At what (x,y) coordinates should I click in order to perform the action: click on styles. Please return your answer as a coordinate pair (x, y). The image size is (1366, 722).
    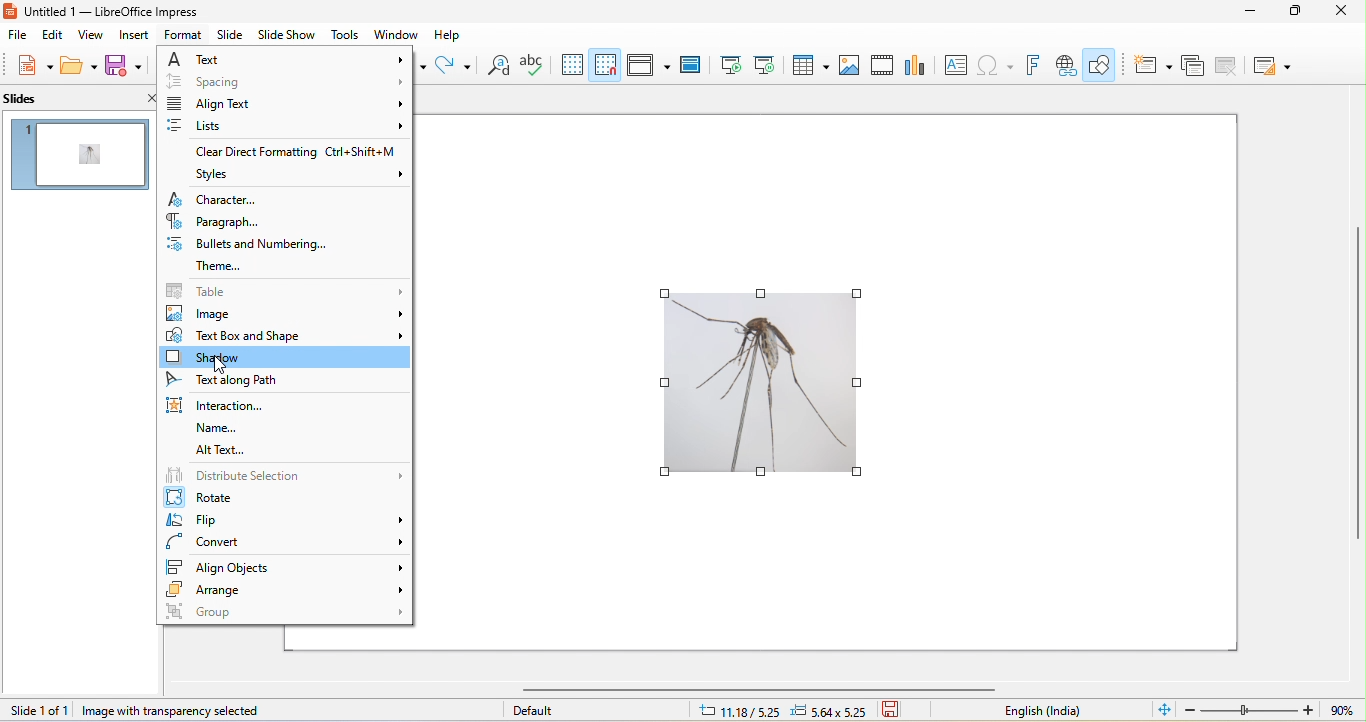
    Looking at the image, I should click on (295, 174).